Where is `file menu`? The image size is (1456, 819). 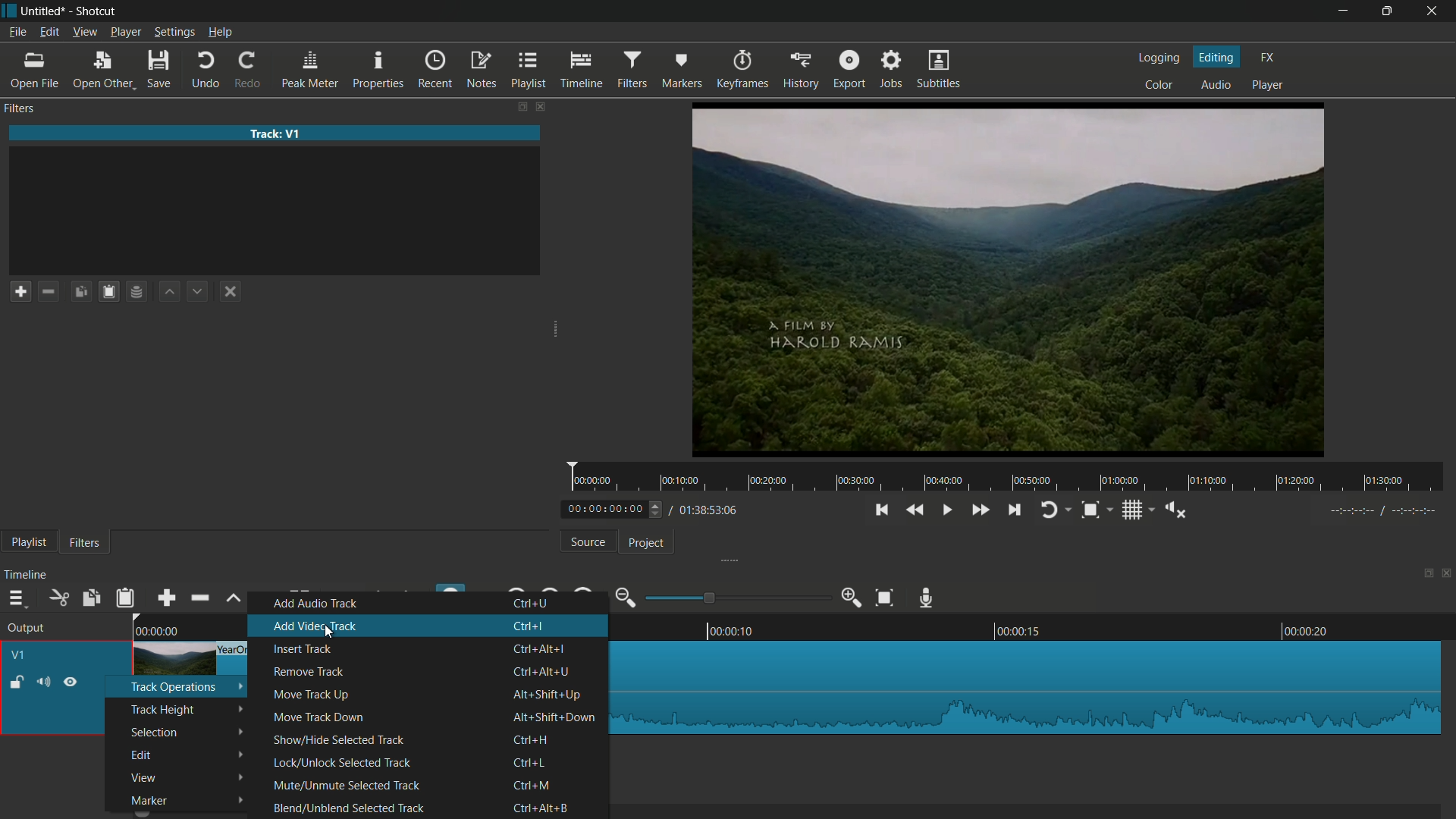 file menu is located at coordinates (17, 33).